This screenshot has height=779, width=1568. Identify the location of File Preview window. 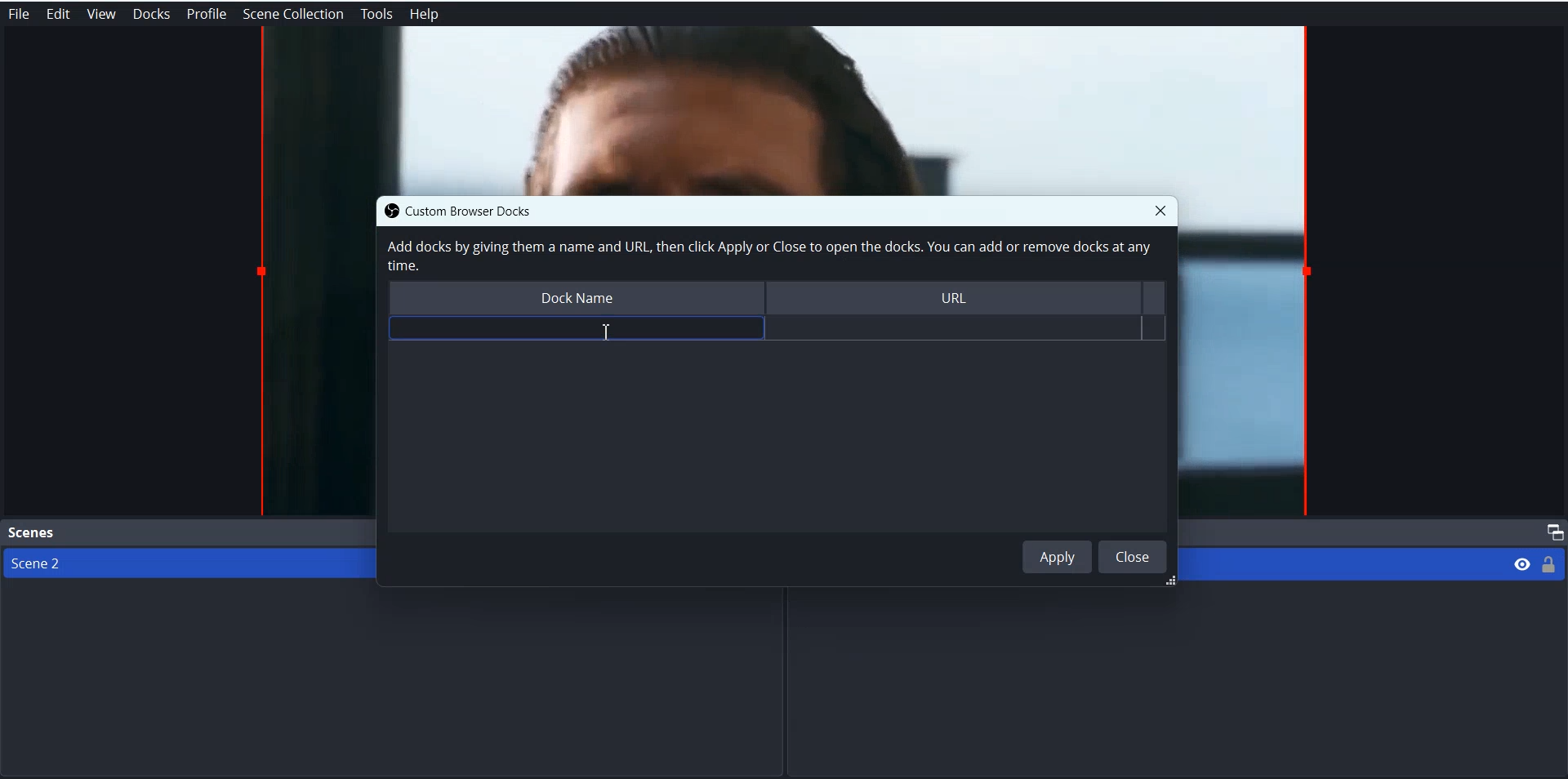
(314, 355).